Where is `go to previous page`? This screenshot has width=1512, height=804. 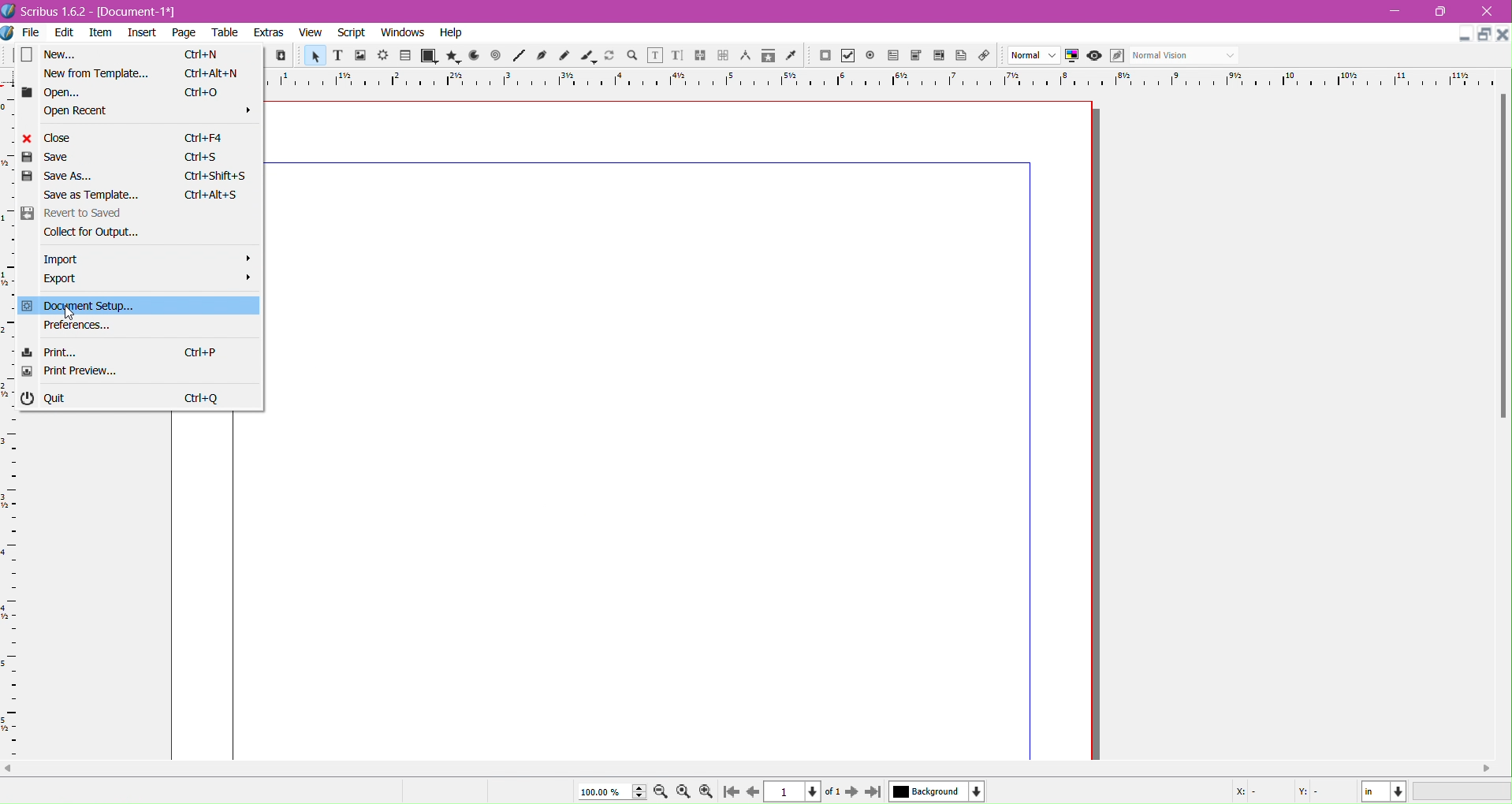 go to previous page is located at coordinates (753, 792).